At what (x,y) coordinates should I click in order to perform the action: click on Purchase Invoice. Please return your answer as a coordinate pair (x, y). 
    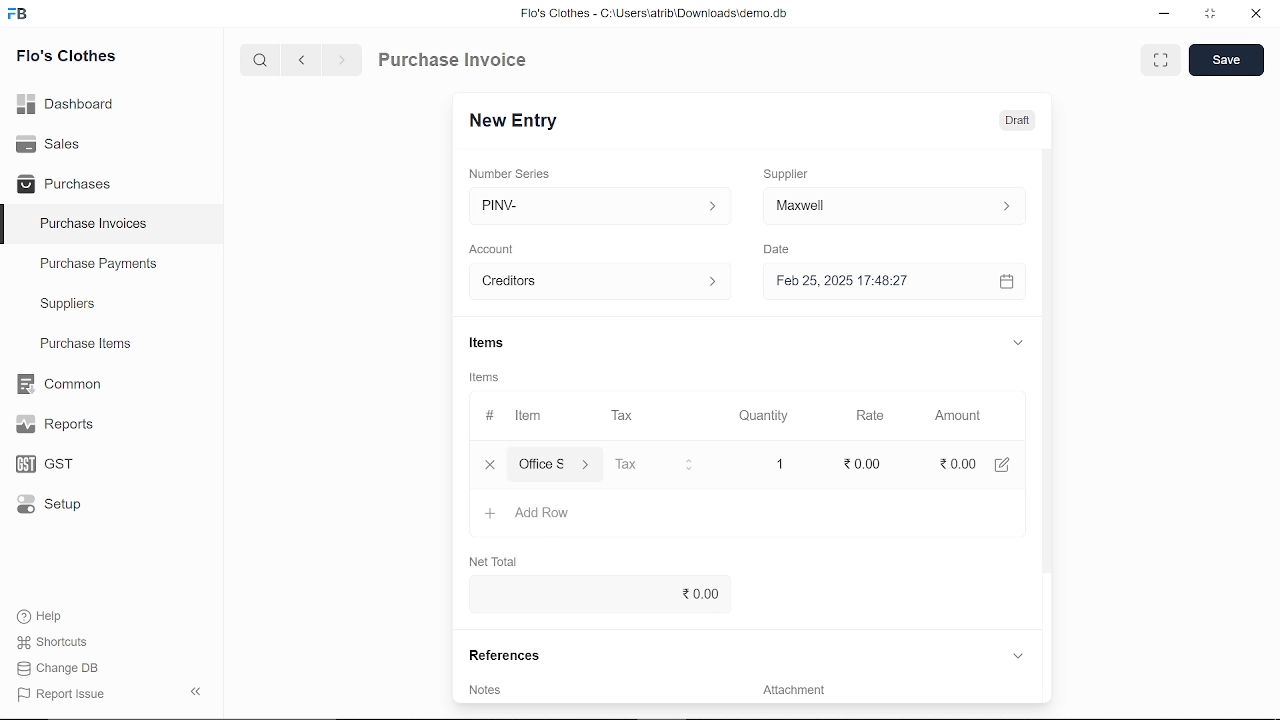
    Looking at the image, I should click on (456, 62).